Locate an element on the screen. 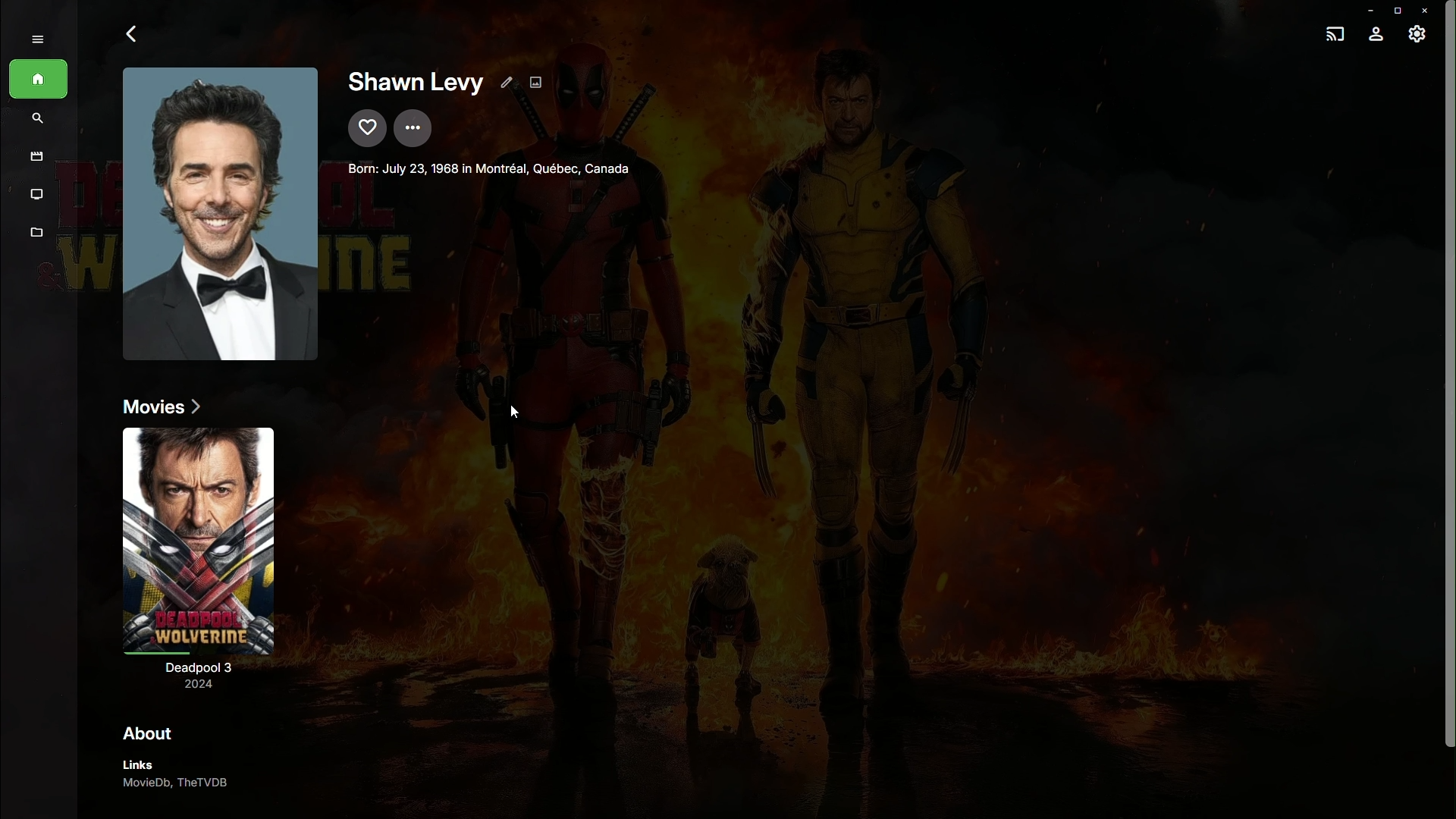 The width and height of the screenshot is (1456, 819). Cast is located at coordinates (1333, 36).